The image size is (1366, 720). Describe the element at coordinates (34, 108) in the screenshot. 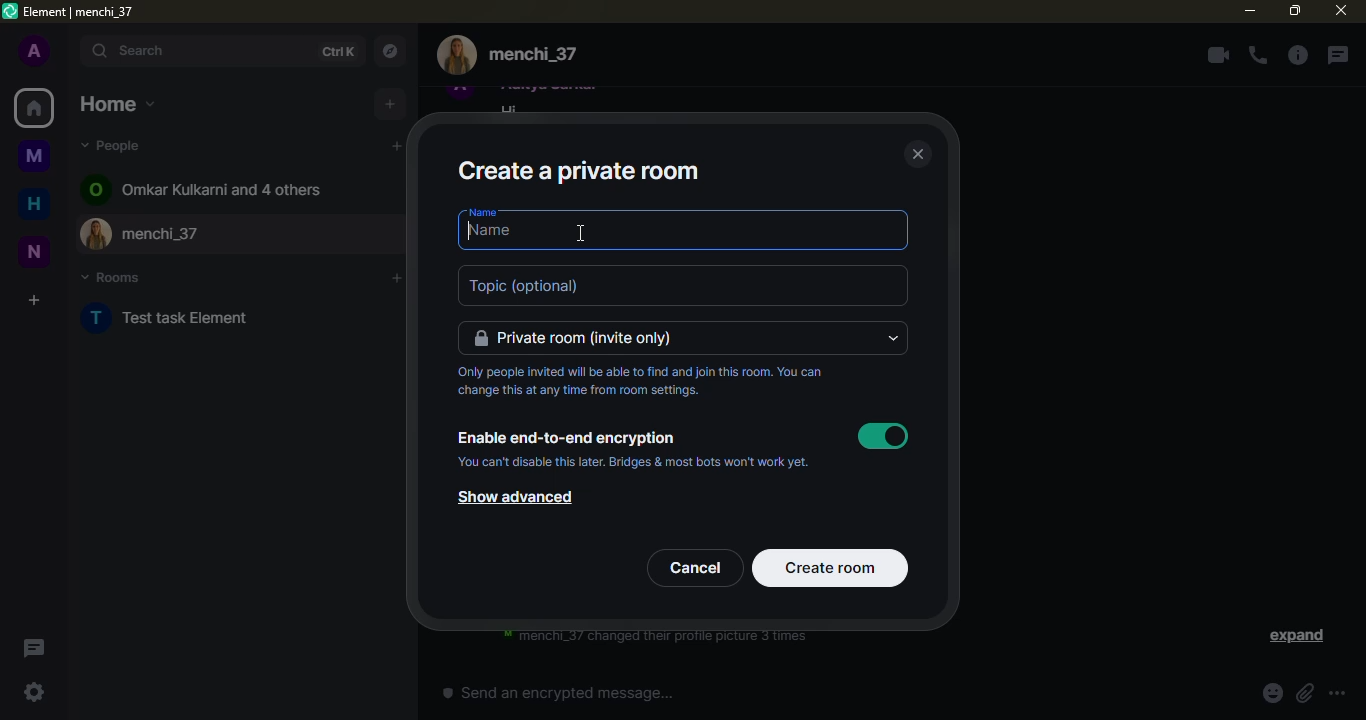

I see `home` at that location.